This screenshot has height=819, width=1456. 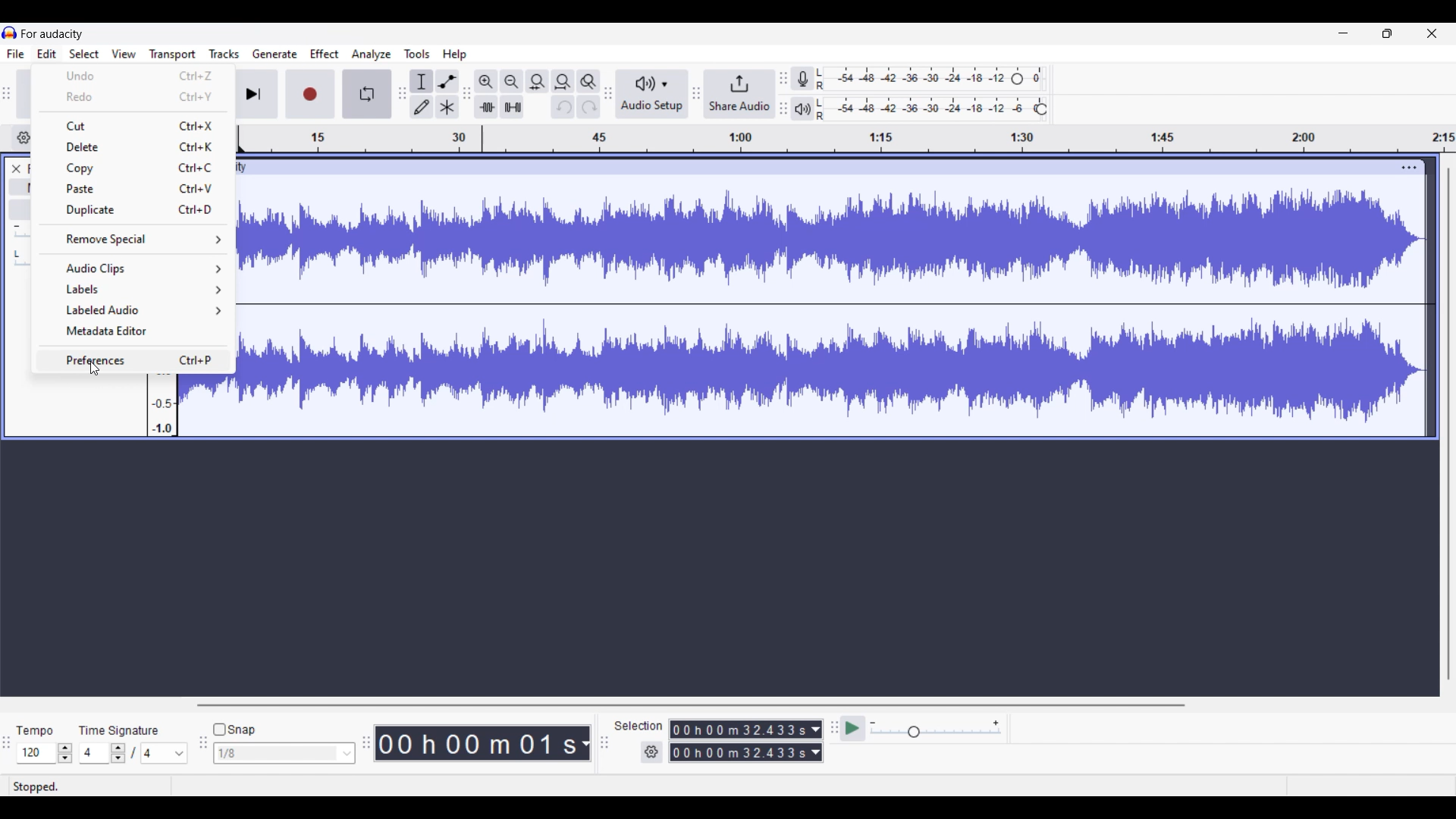 I want to click on Track settings , so click(x=1410, y=168).